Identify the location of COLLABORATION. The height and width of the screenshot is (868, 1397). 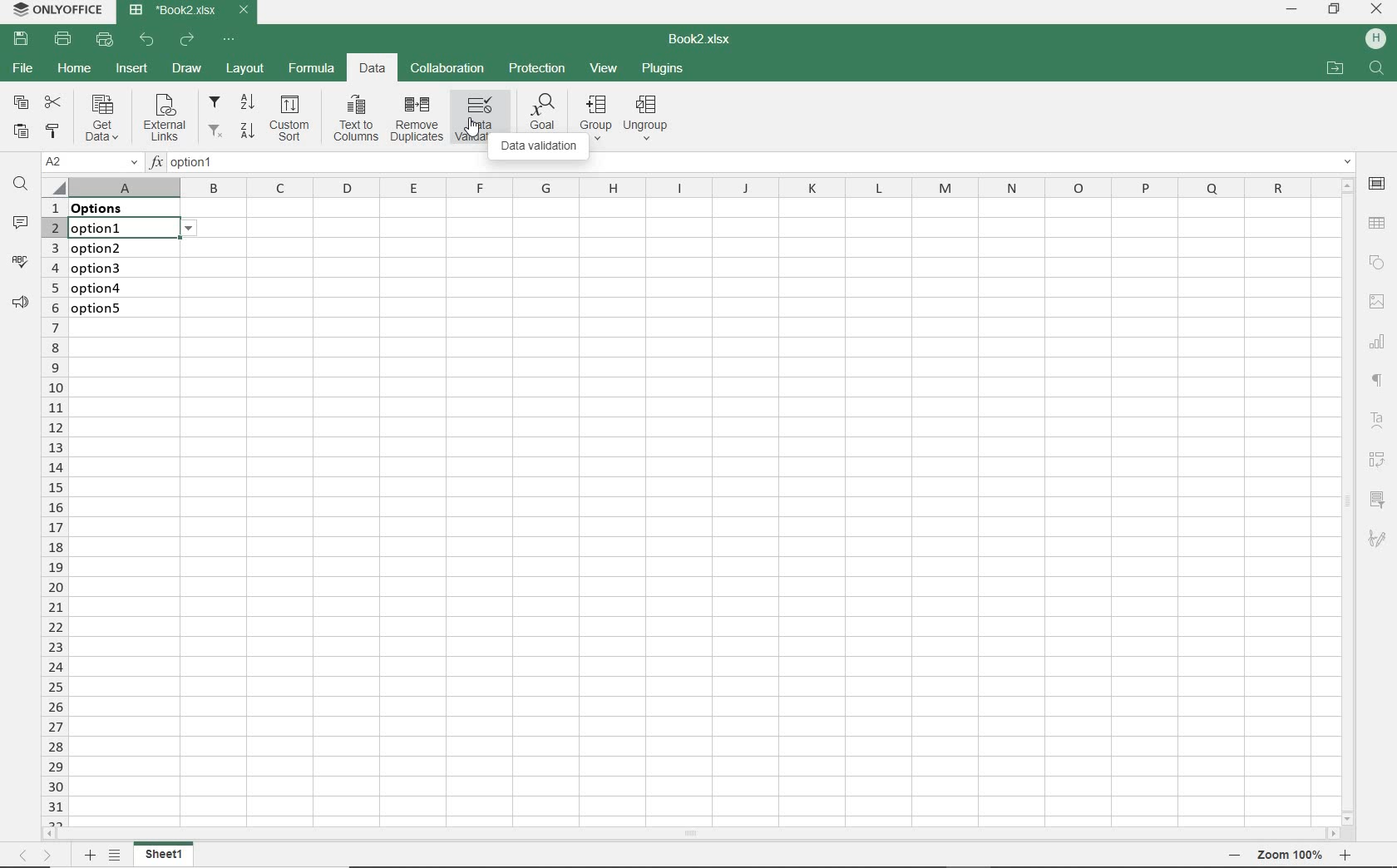
(448, 67).